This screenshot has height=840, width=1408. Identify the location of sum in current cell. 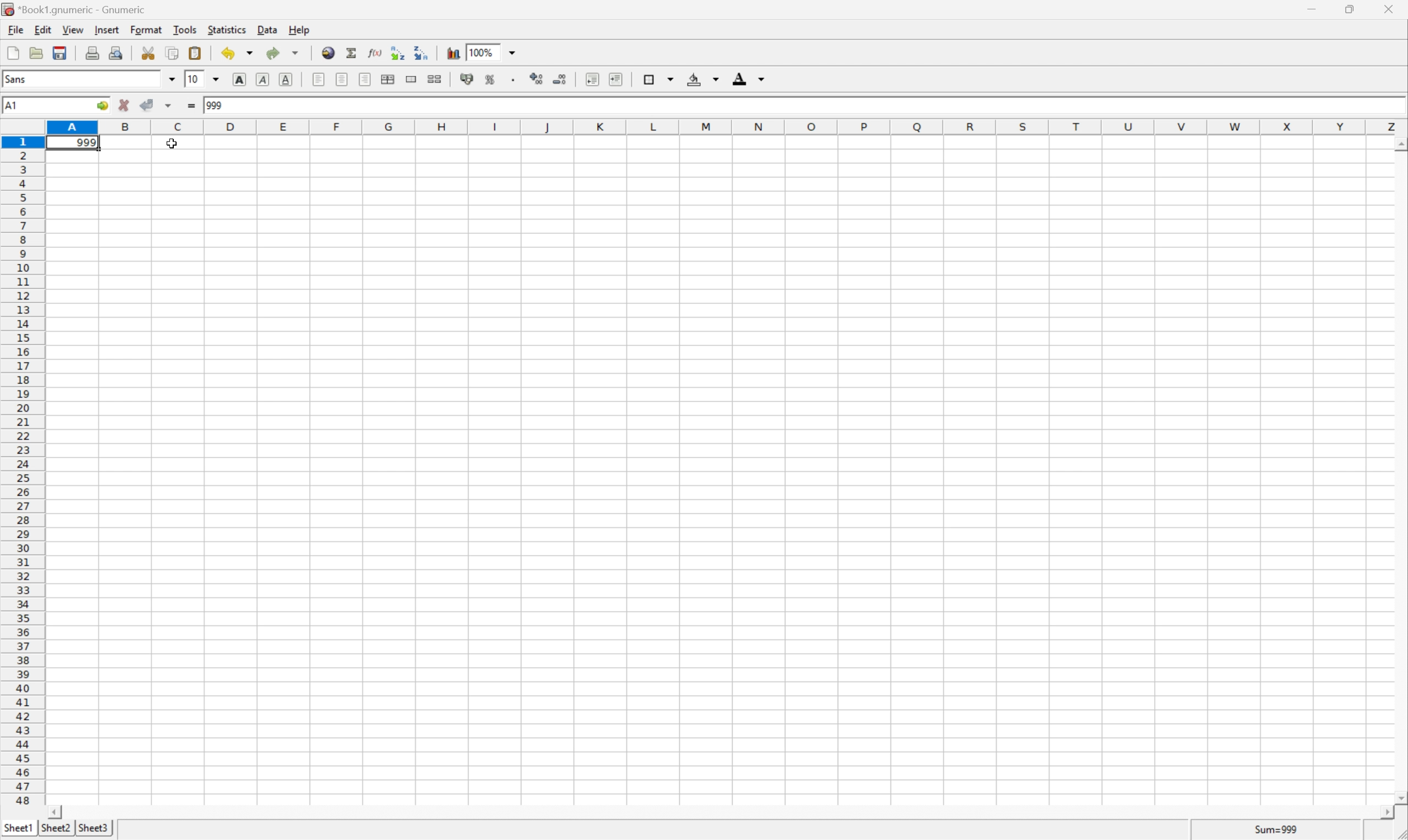
(353, 53).